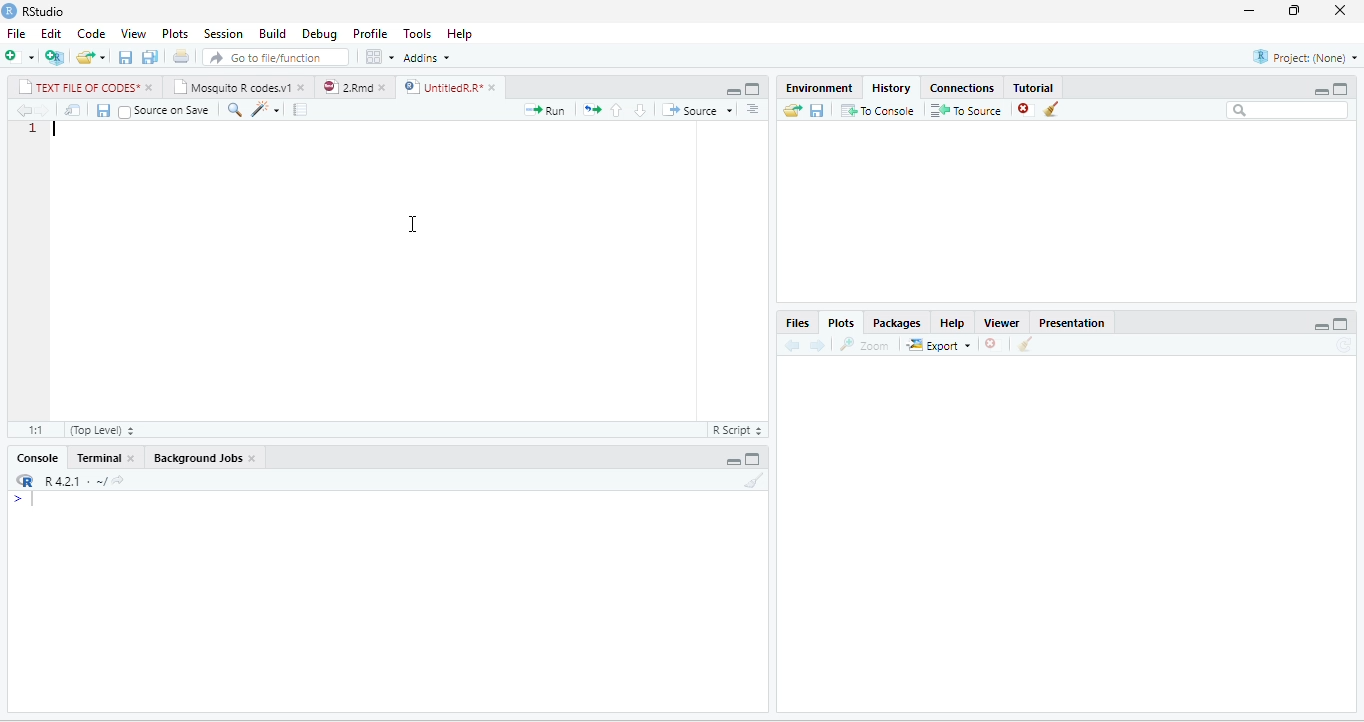 The height and width of the screenshot is (722, 1364). What do you see at coordinates (1340, 11) in the screenshot?
I see `close` at bounding box center [1340, 11].